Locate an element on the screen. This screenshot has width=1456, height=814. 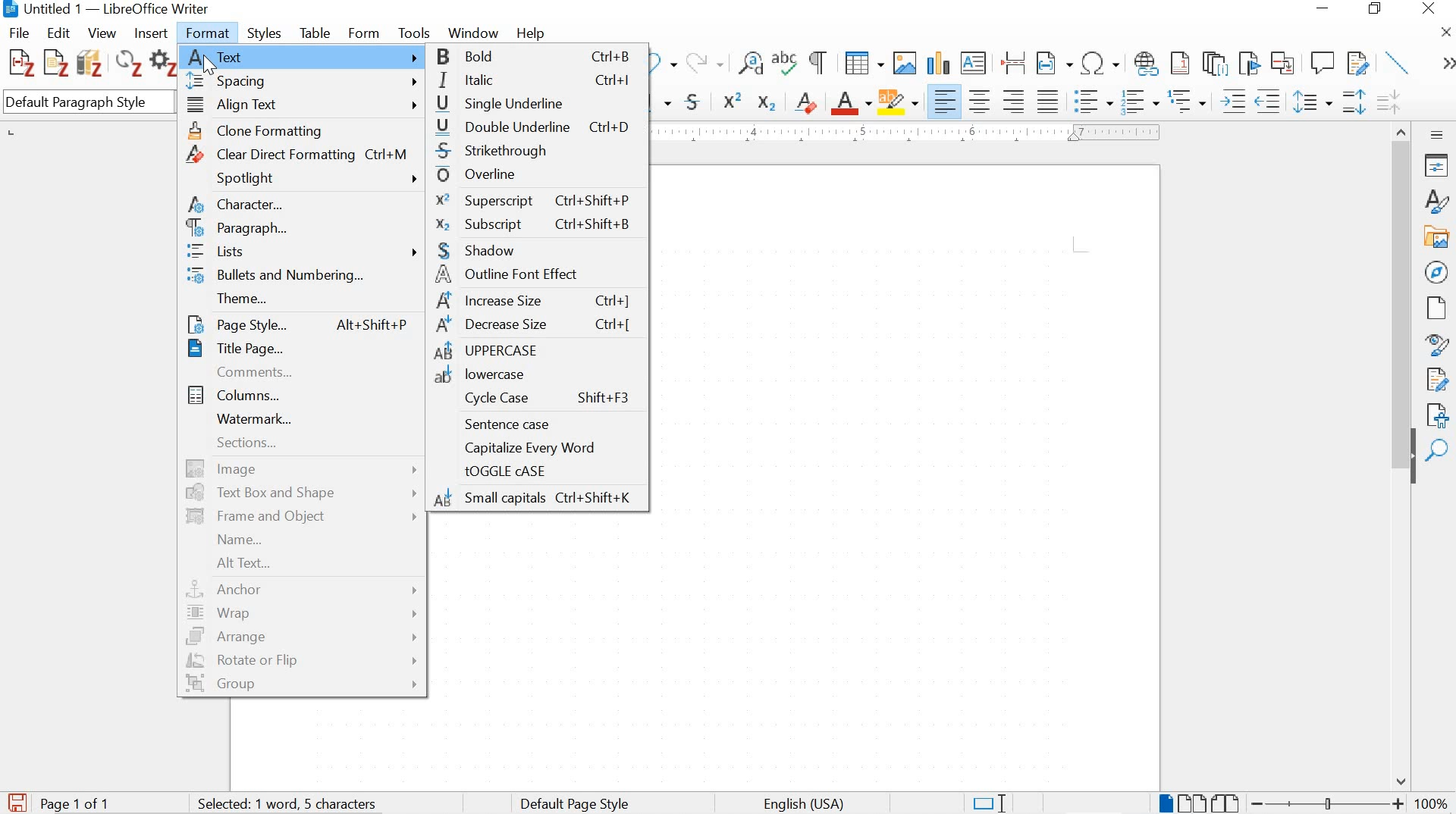
toggle case is located at coordinates (538, 472).